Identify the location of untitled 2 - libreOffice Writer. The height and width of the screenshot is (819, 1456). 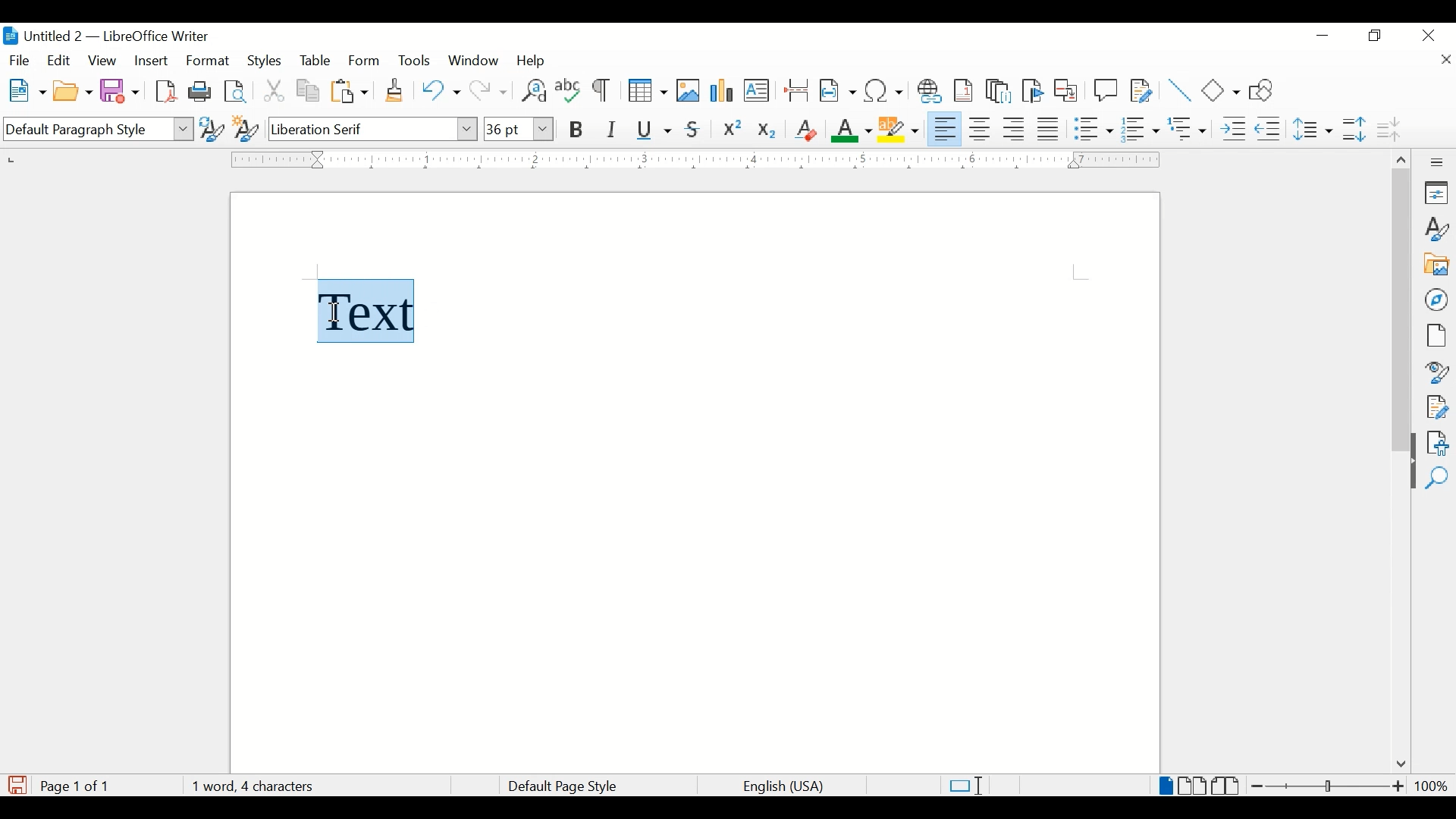
(105, 39).